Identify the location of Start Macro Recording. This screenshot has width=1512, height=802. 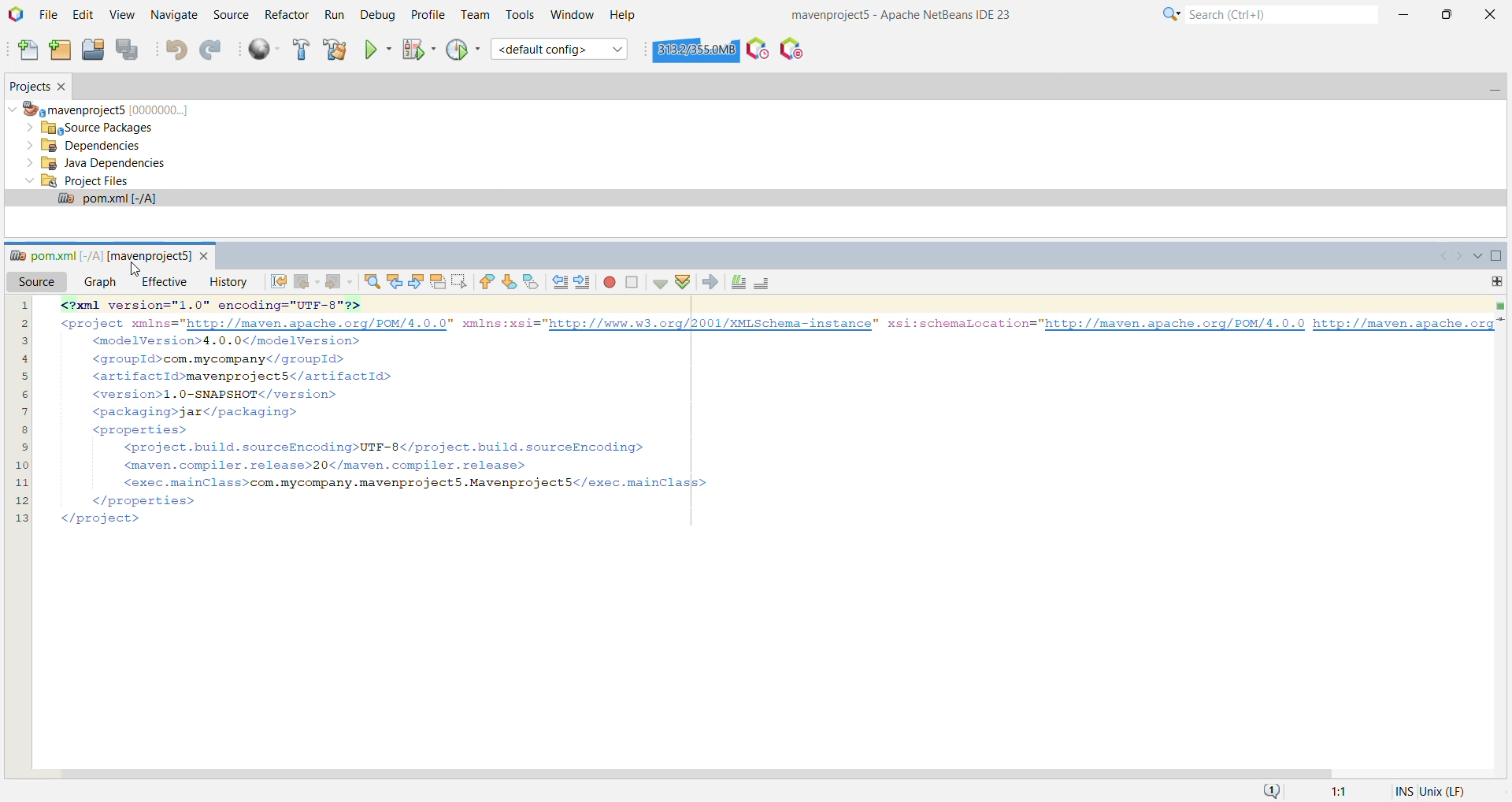
(609, 283).